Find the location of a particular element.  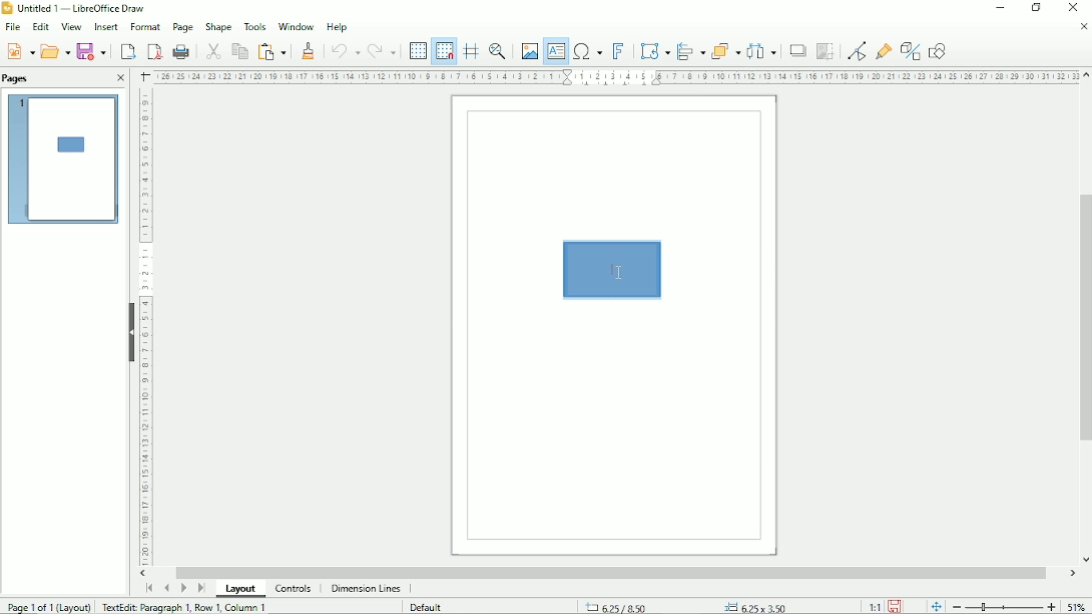

Scaling factor is located at coordinates (874, 607).